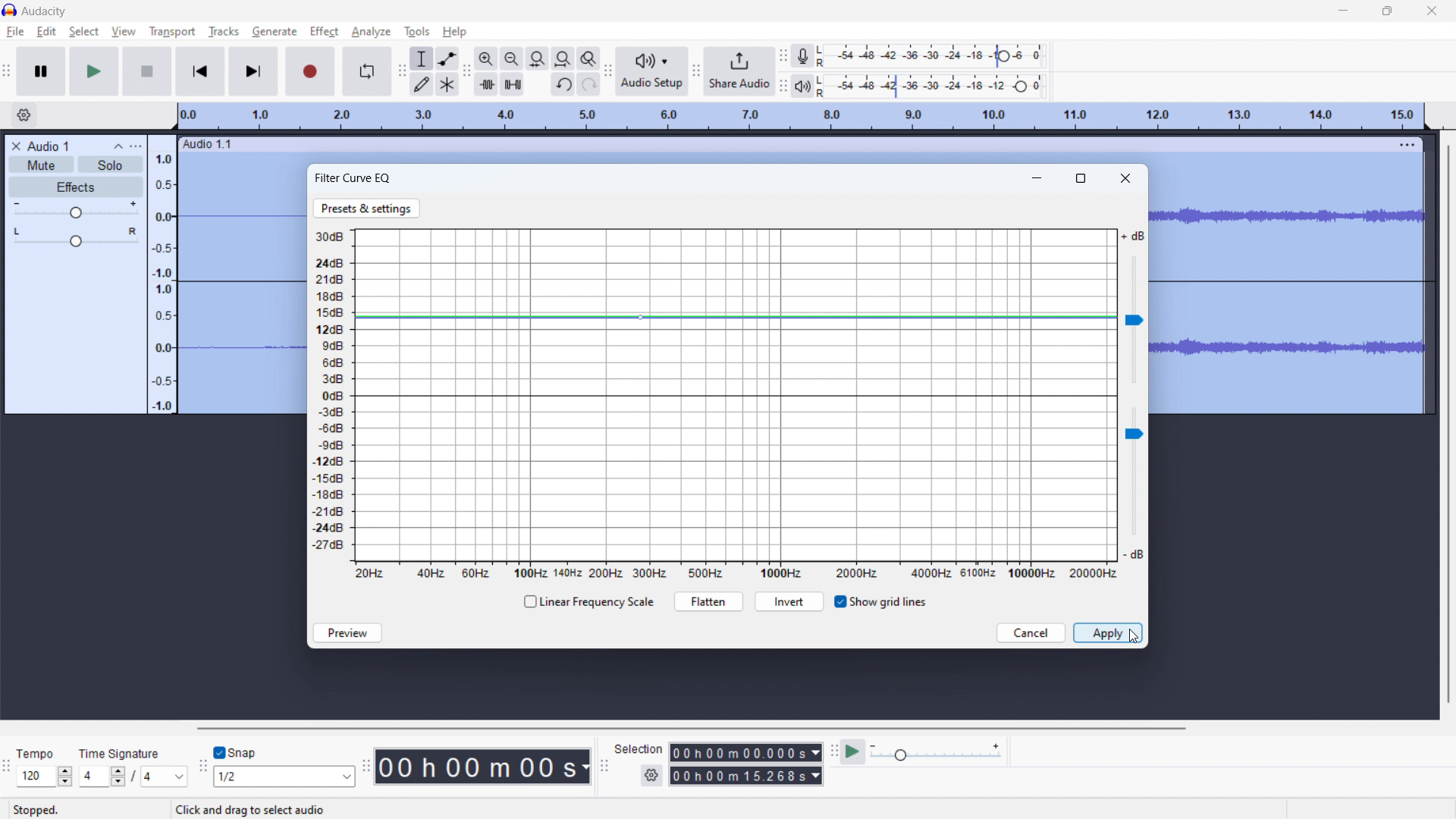 Image resolution: width=1456 pixels, height=819 pixels. What do you see at coordinates (347, 632) in the screenshot?
I see `preview` at bounding box center [347, 632].